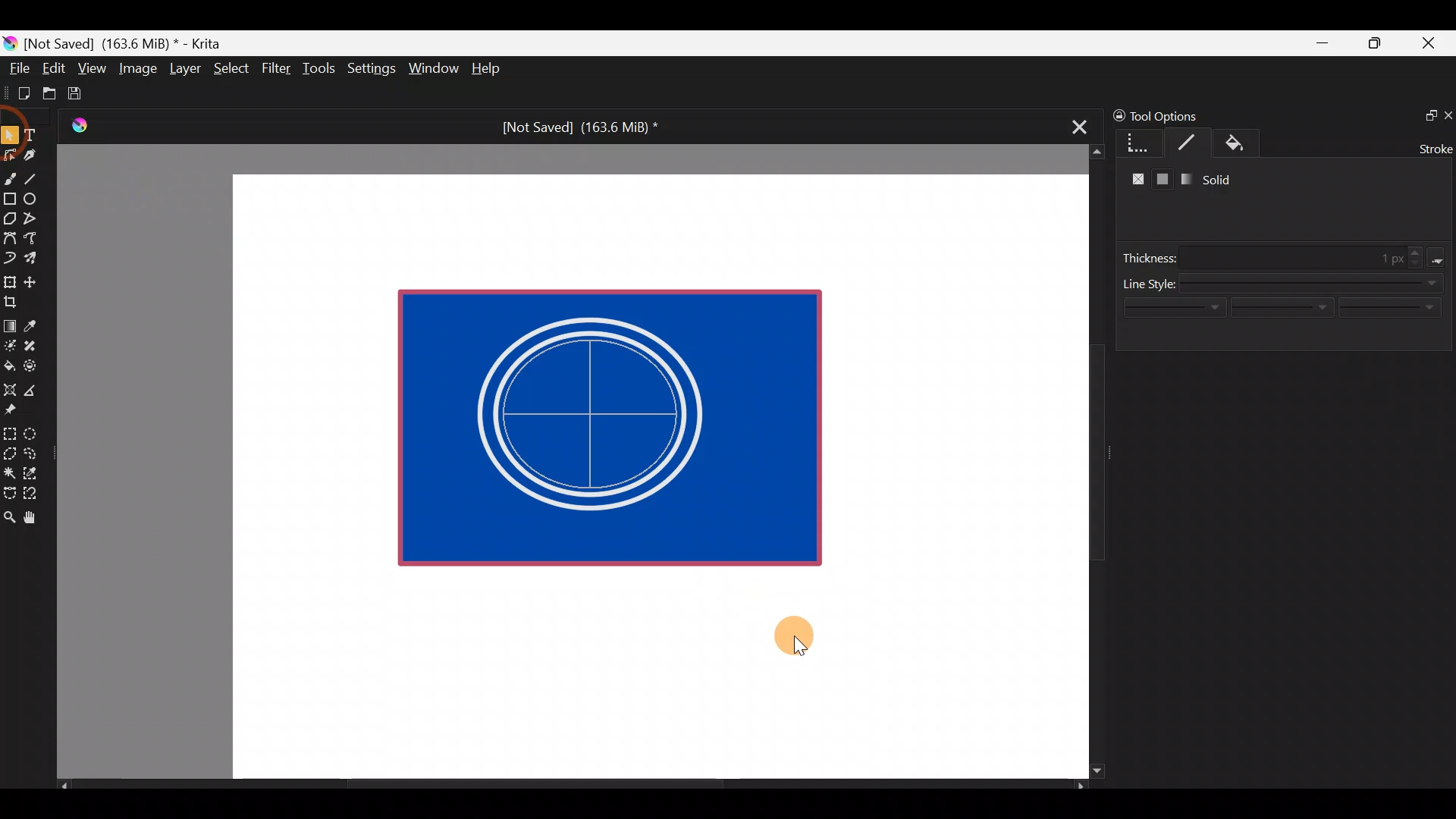  What do you see at coordinates (9, 450) in the screenshot?
I see `Polygonal section tool` at bounding box center [9, 450].